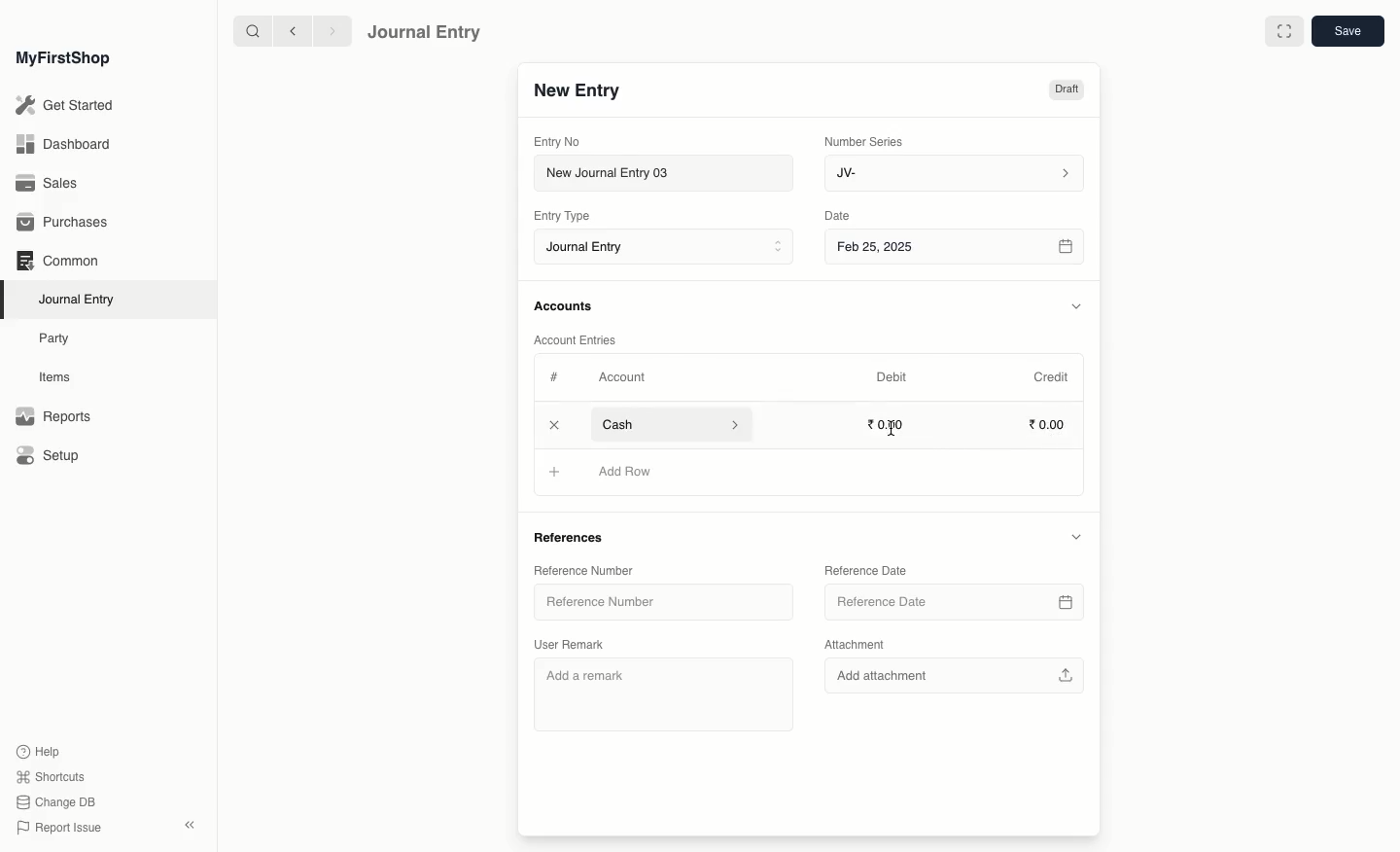 The width and height of the screenshot is (1400, 852). I want to click on Entry No, so click(558, 141).